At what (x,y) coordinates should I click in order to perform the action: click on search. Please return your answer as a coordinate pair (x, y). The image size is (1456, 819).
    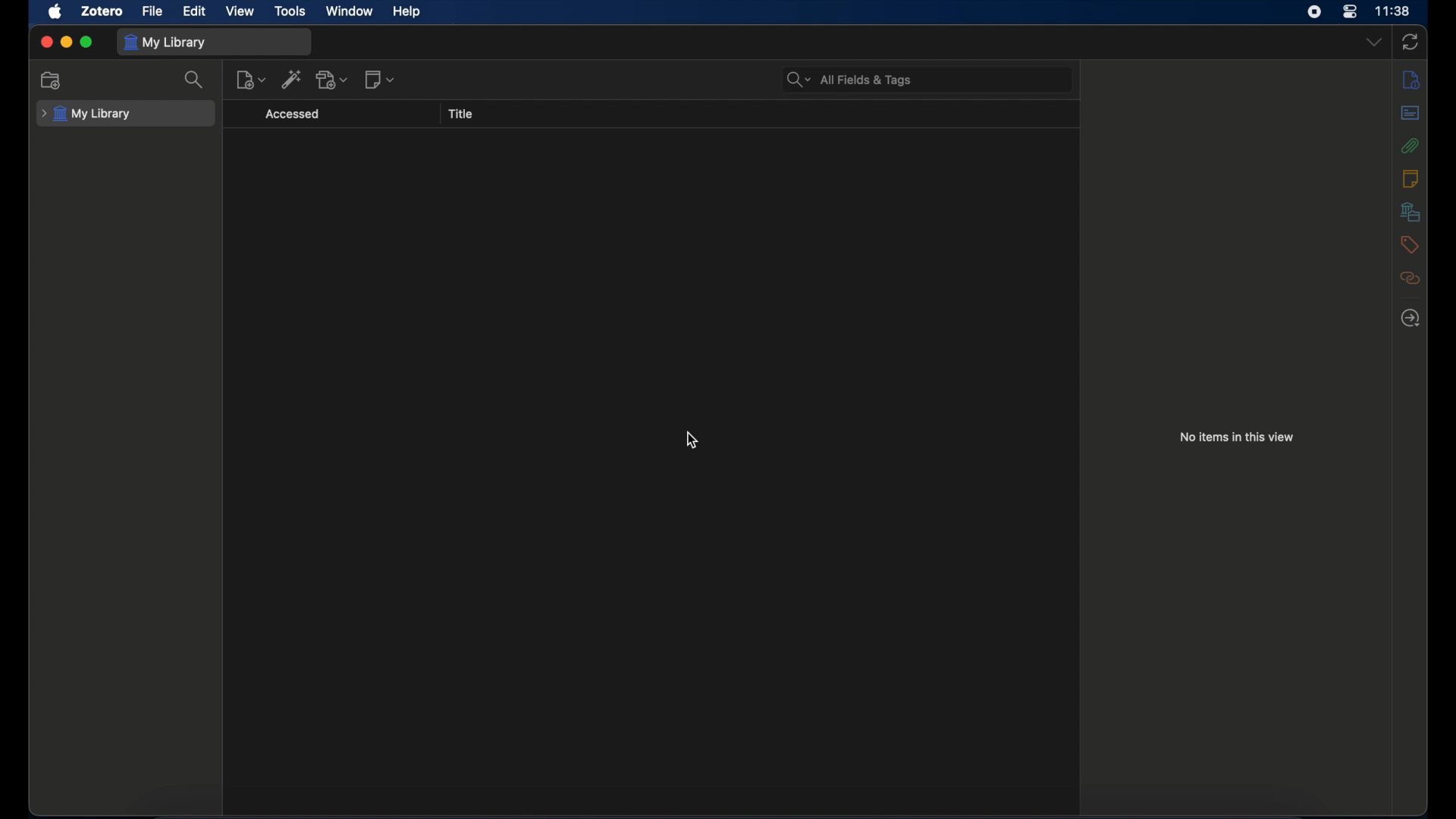
    Looking at the image, I should click on (194, 79).